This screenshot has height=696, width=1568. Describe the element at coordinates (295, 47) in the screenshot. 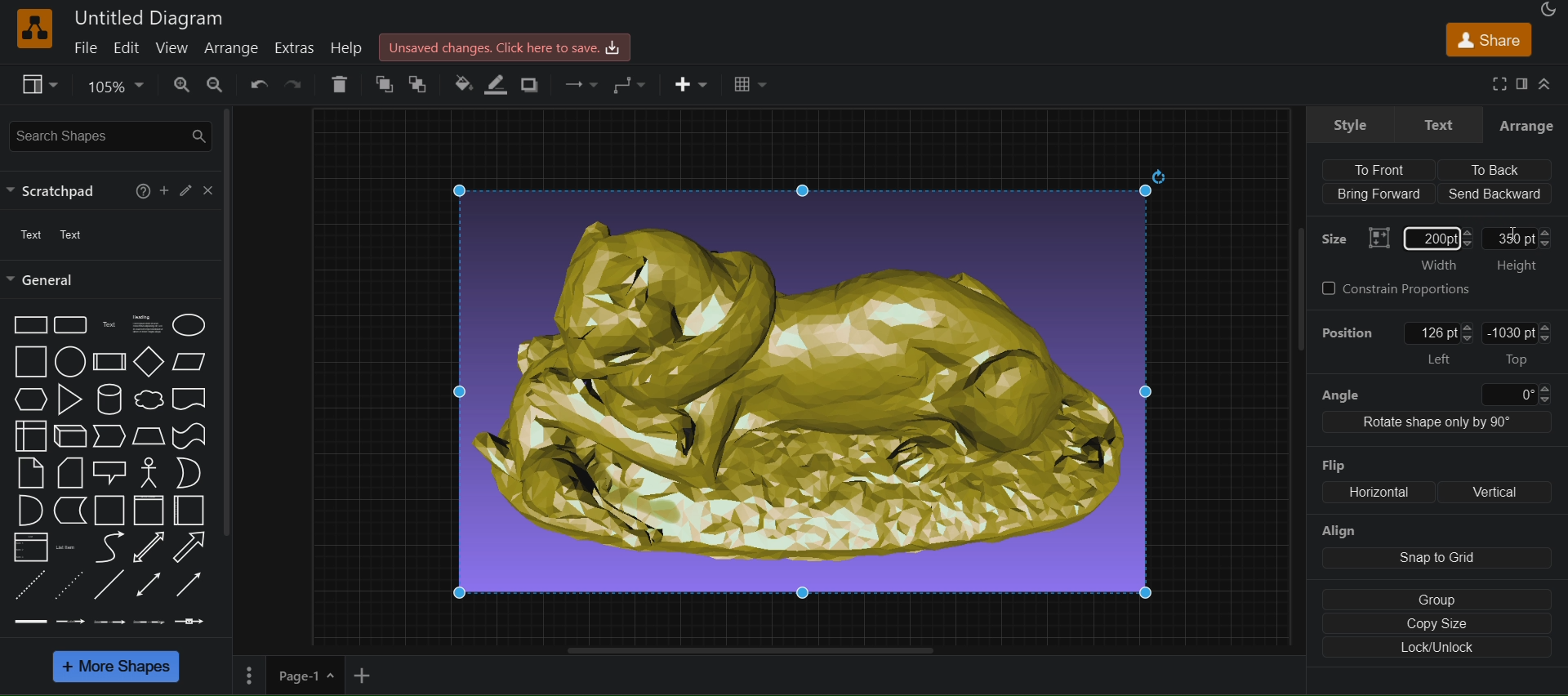

I see `extras` at that location.